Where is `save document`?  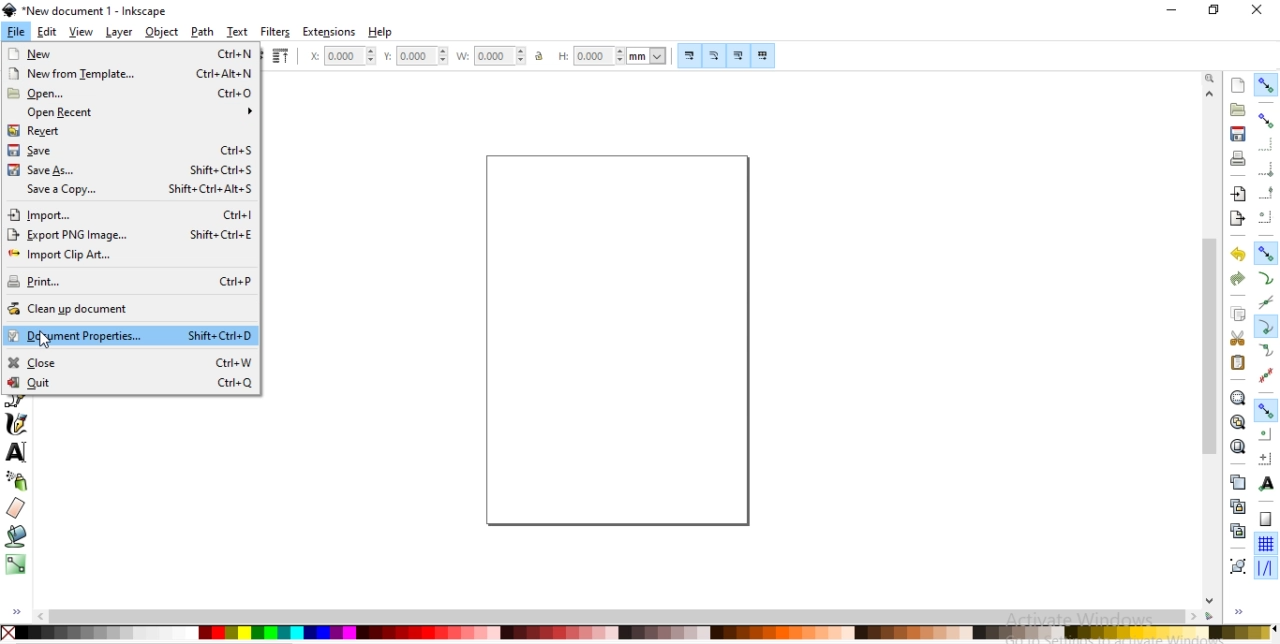
save document is located at coordinates (1238, 134).